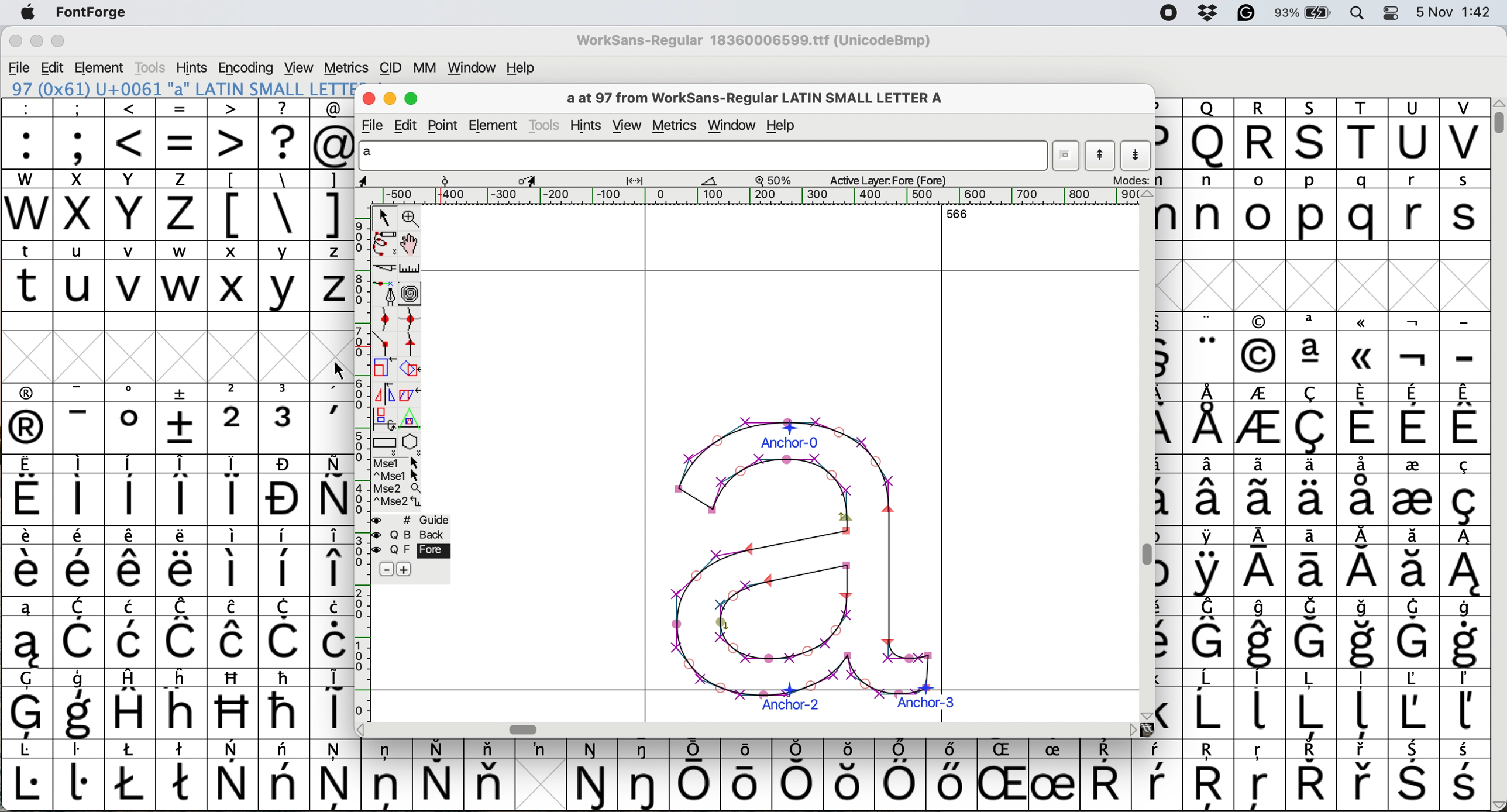  What do you see at coordinates (331, 490) in the screenshot?
I see `symbol` at bounding box center [331, 490].